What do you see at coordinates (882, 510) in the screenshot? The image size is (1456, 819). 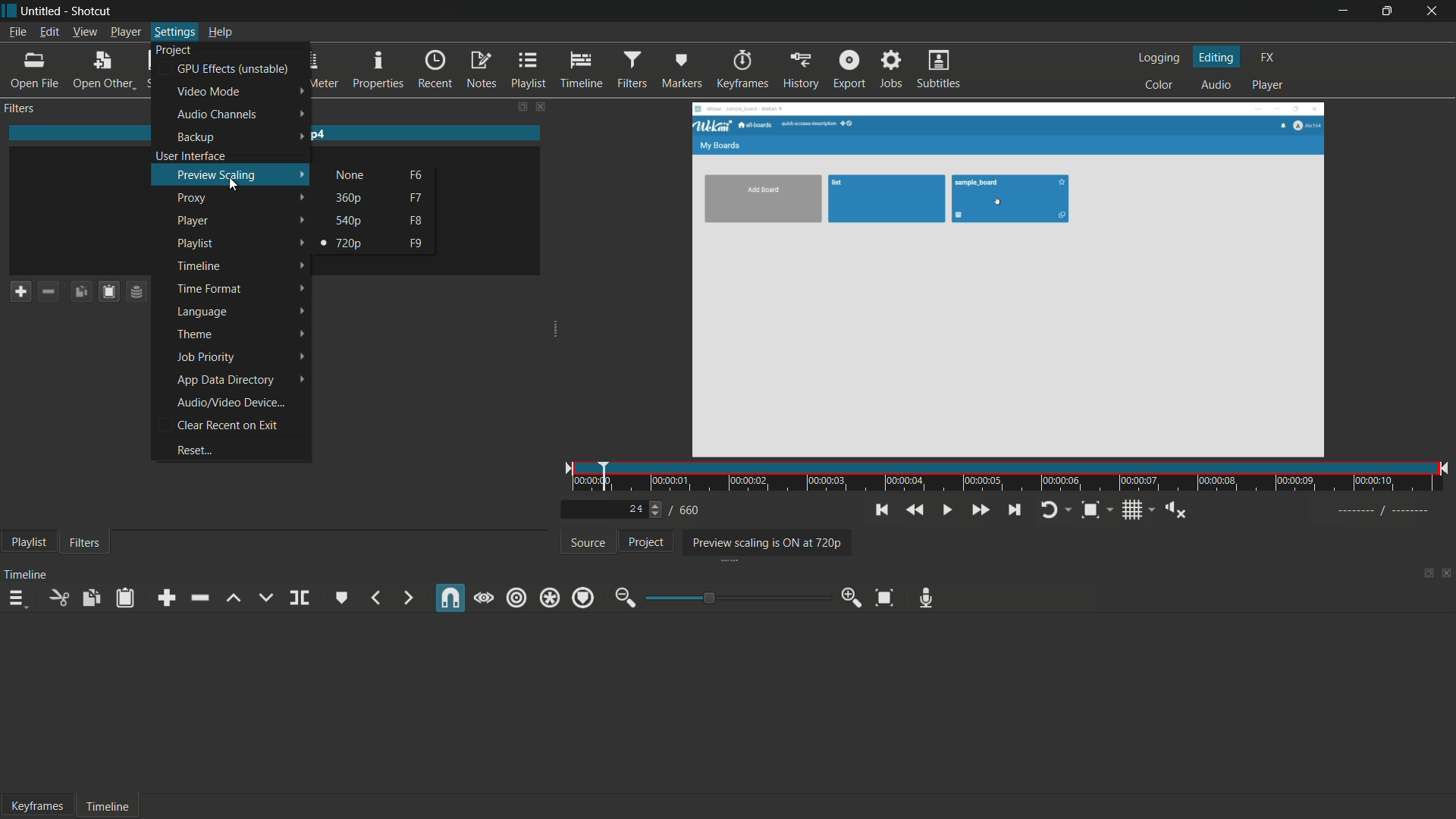 I see `skip to the previous point` at bounding box center [882, 510].